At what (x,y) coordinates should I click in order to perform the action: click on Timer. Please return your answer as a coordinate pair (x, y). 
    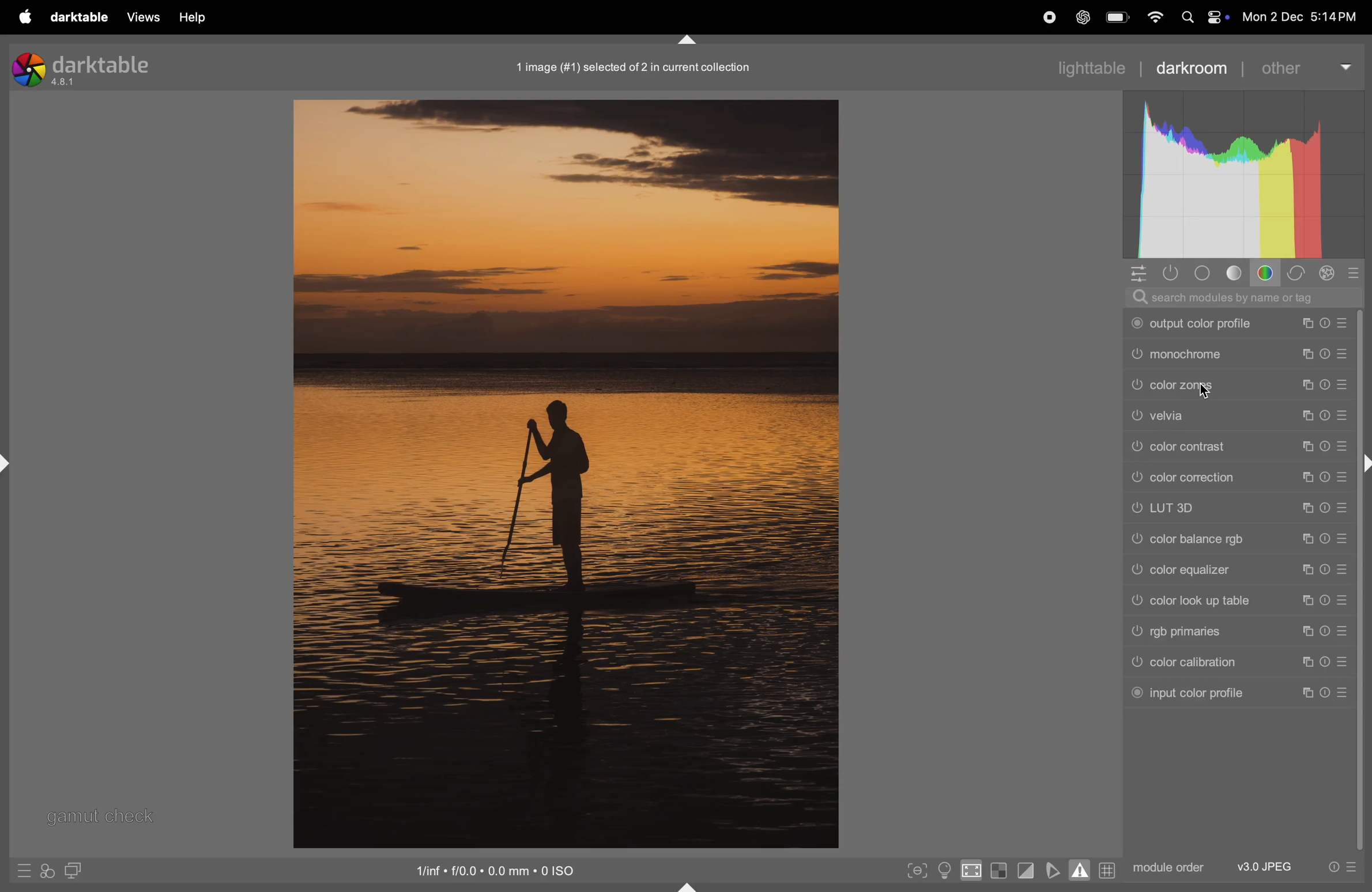
    Looking at the image, I should click on (1324, 599).